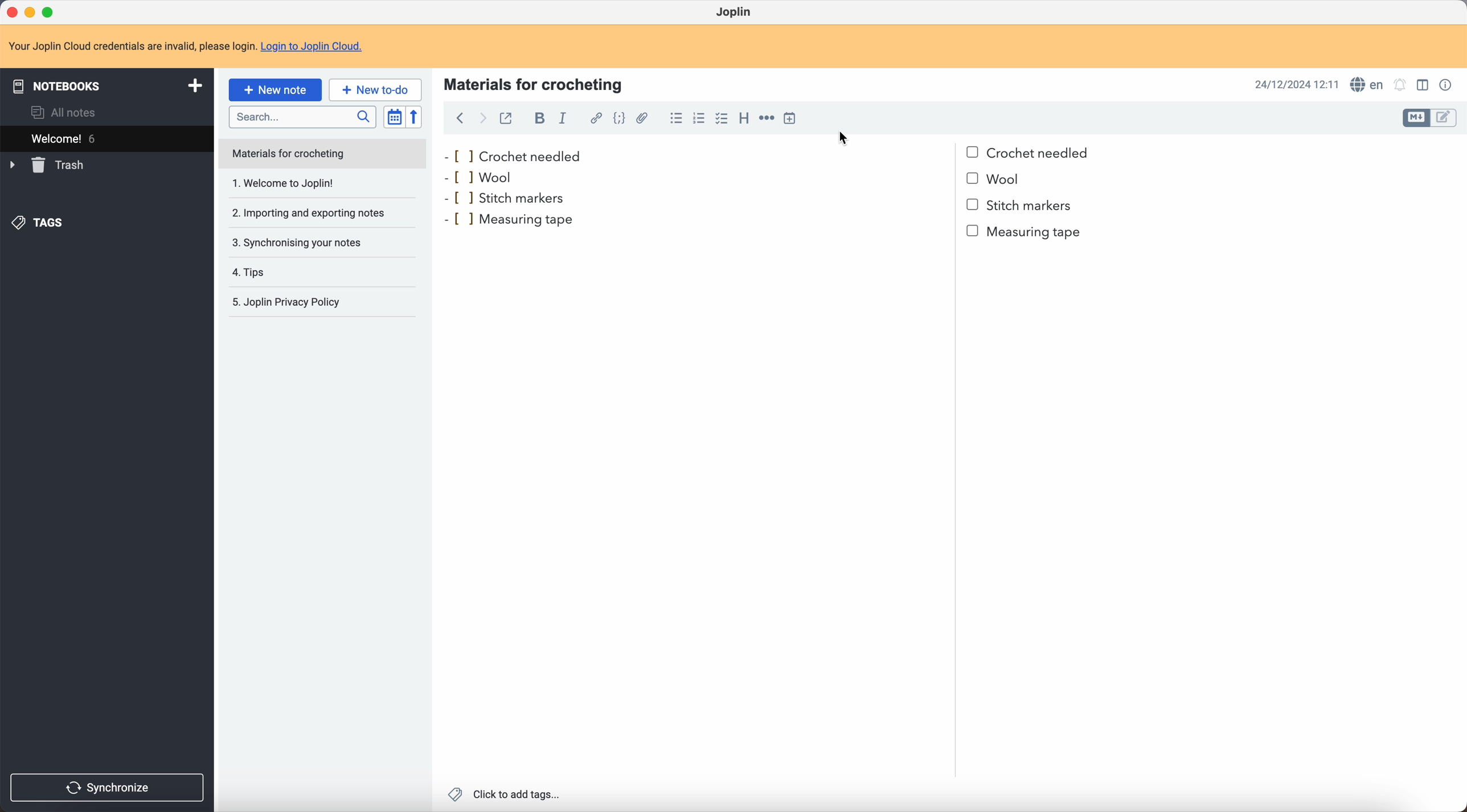 This screenshot has height=812, width=1467. Describe the element at coordinates (698, 118) in the screenshot. I see `numbered list` at that location.